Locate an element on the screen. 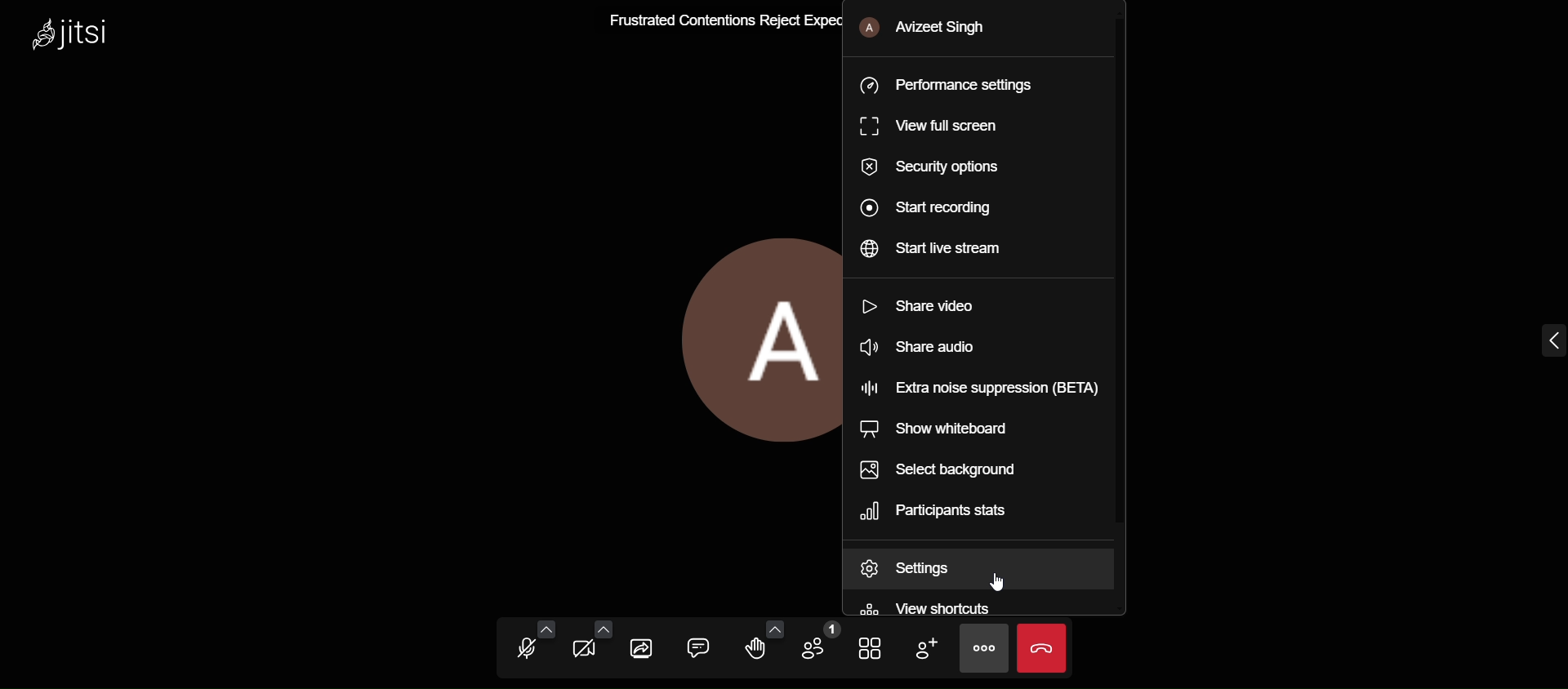 The image size is (1568, 689). end call is located at coordinates (1047, 648).